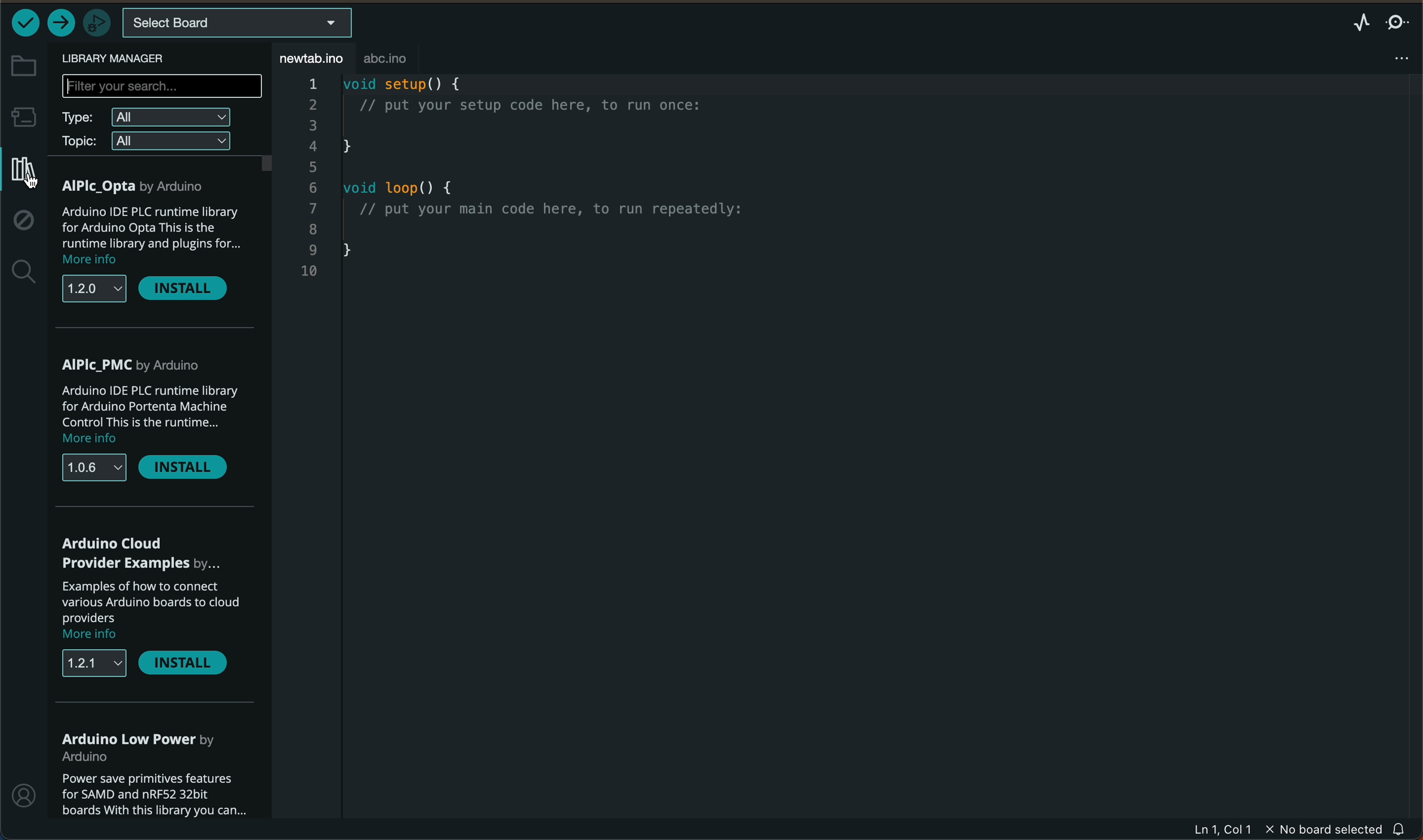 The height and width of the screenshot is (840, 1423). I want to click on cloud provider, so click(138, 554).